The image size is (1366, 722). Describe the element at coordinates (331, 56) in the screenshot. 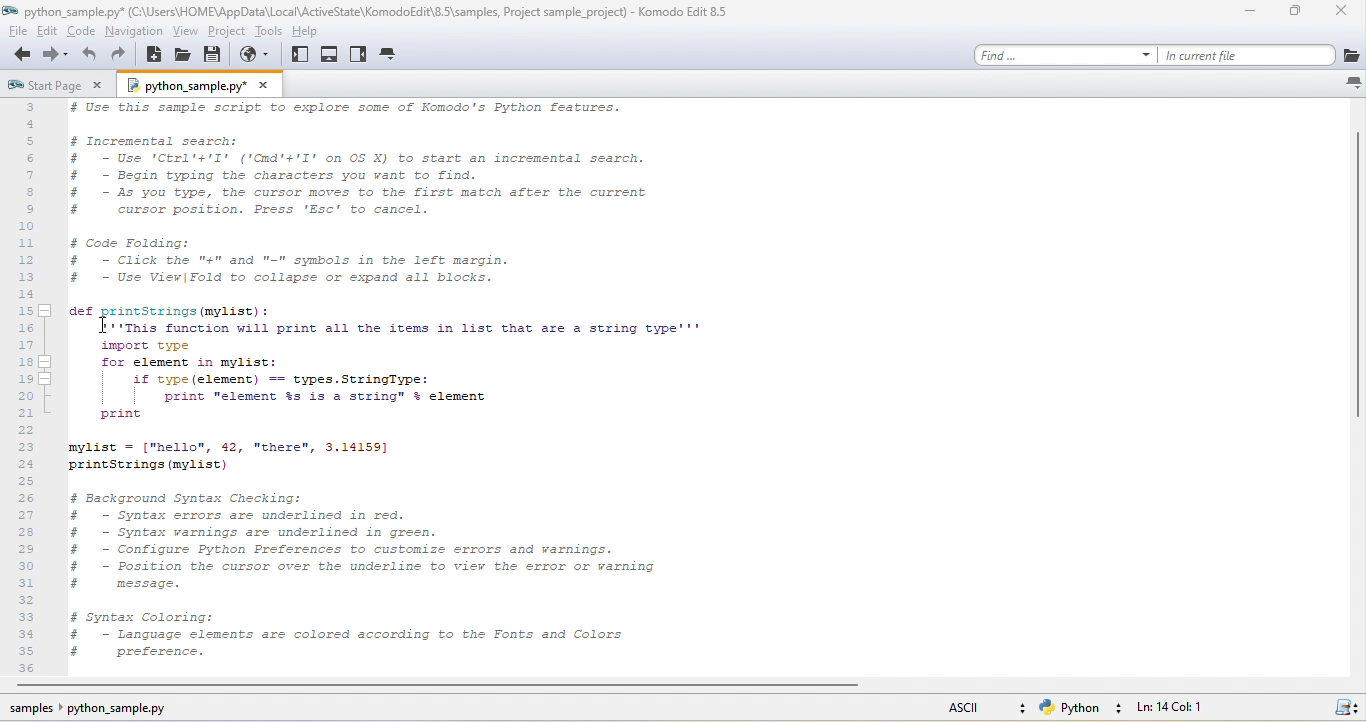

I see `bottom pane` at that location.